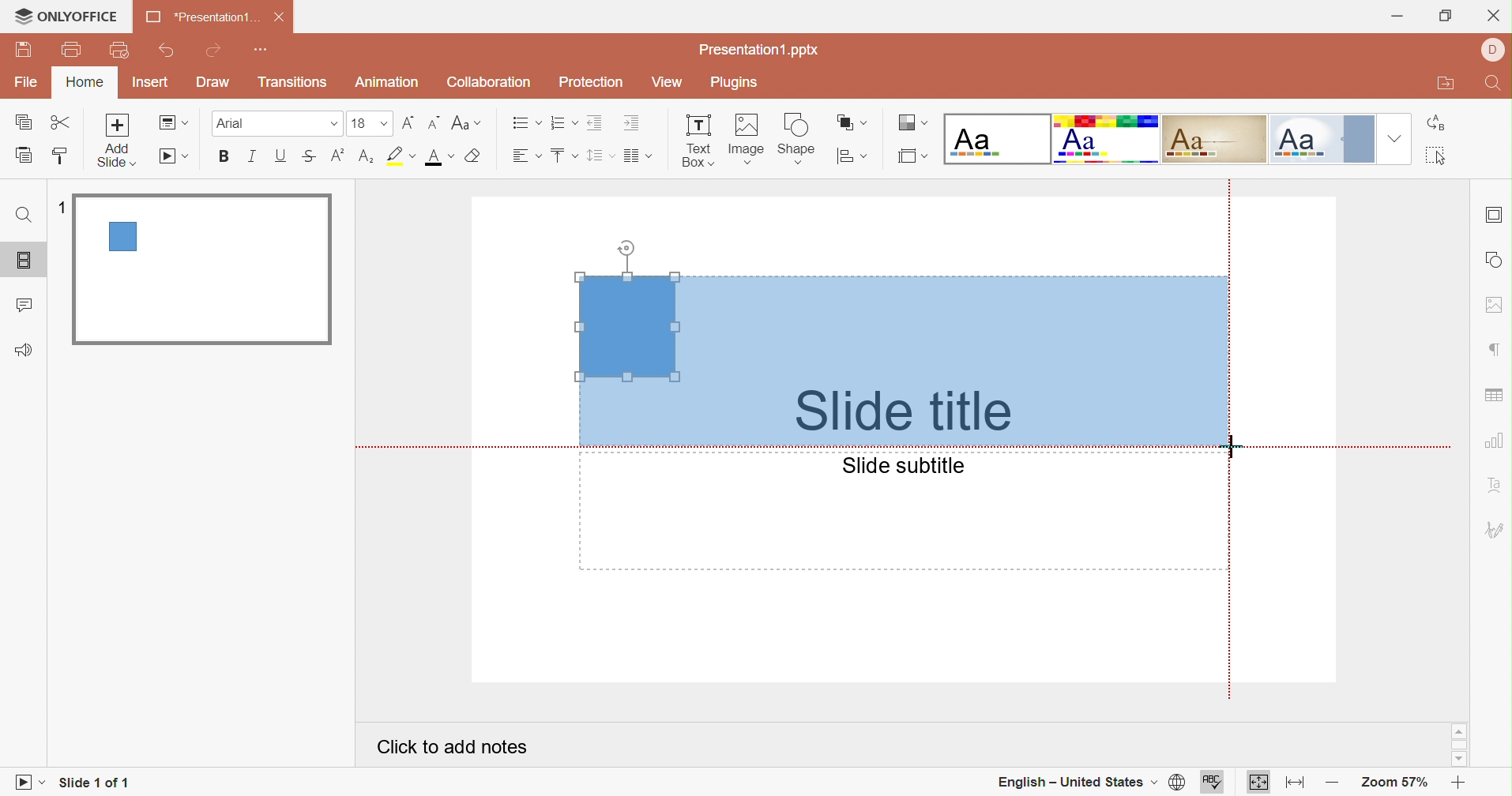  I want to click on Text art settings, so click(1496, 484).